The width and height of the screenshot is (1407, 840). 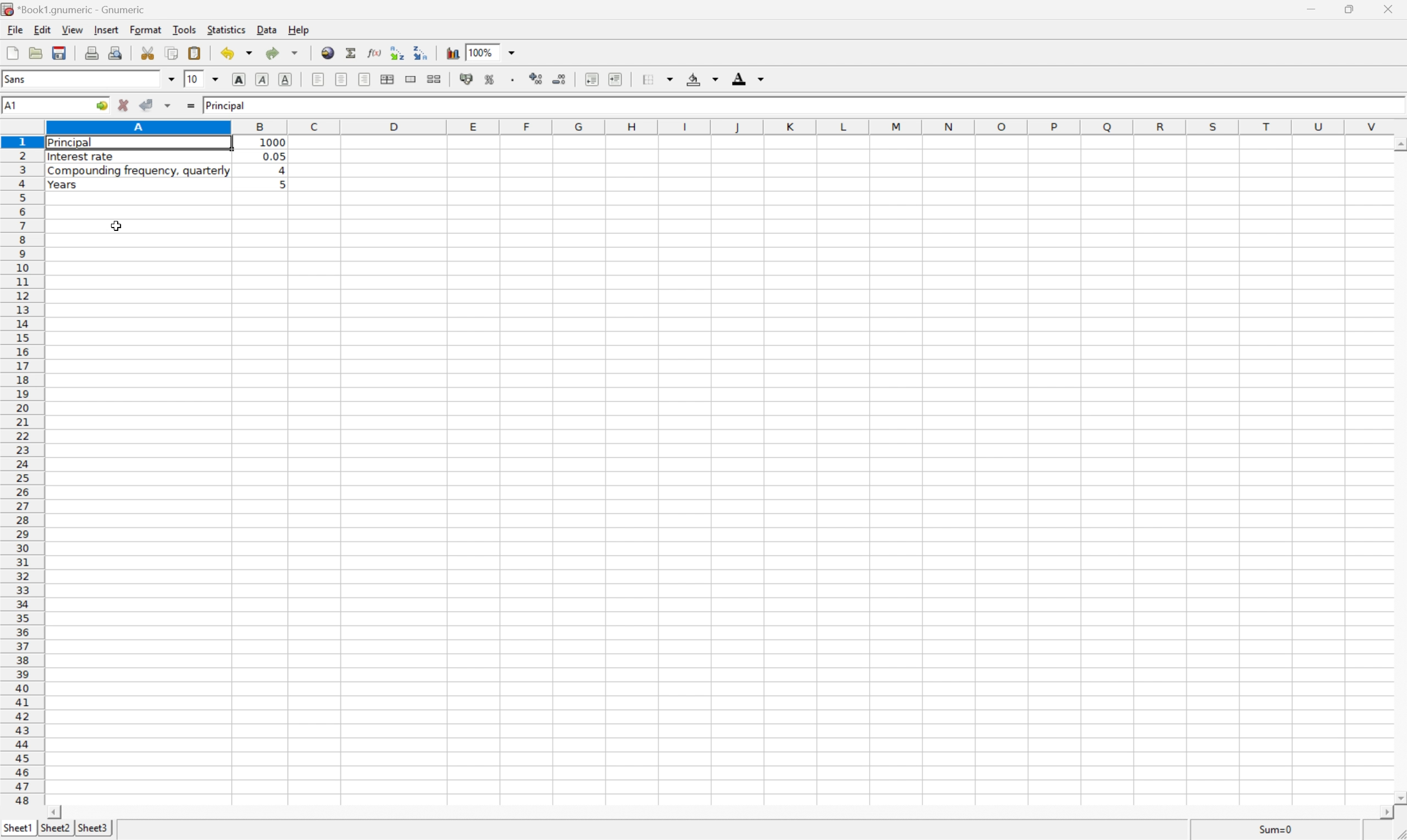 What do you see at coordinates (482, 52) in the screenshot?
I see `100%` at bounding box center [482, 52].